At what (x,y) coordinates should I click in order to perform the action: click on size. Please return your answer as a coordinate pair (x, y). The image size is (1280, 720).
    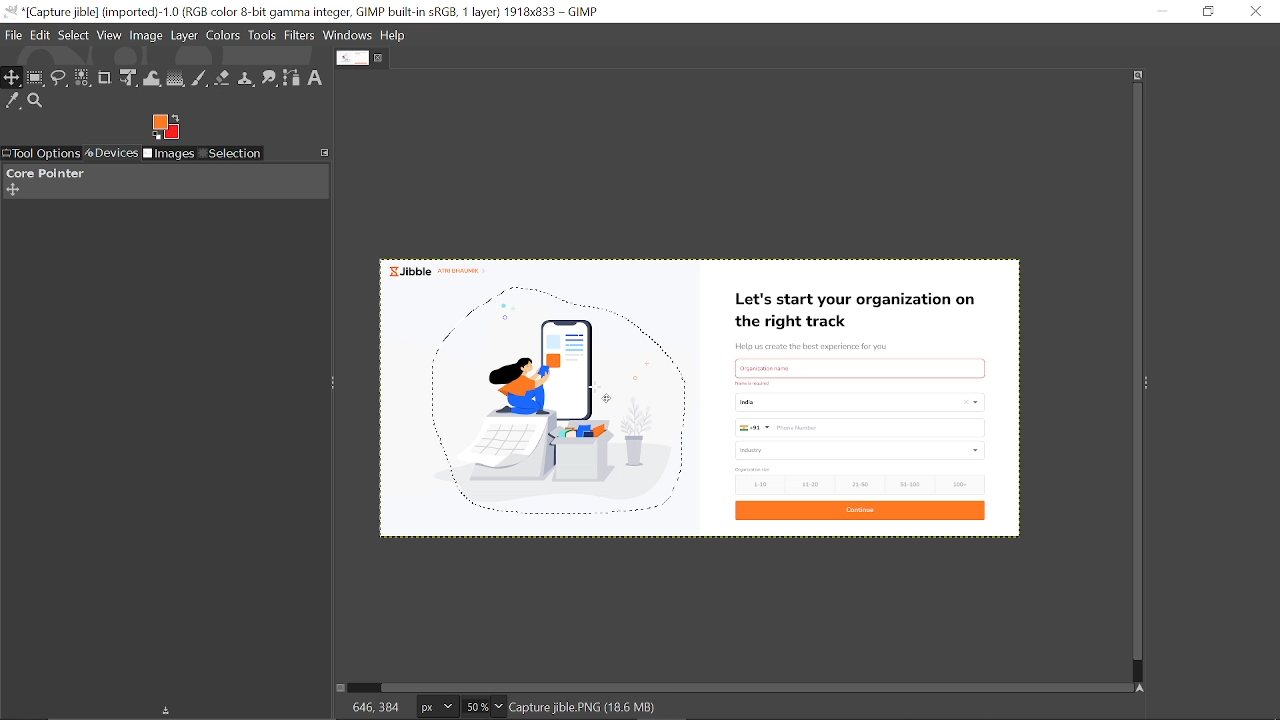
    Looking at the image, I should click on (754, 469).